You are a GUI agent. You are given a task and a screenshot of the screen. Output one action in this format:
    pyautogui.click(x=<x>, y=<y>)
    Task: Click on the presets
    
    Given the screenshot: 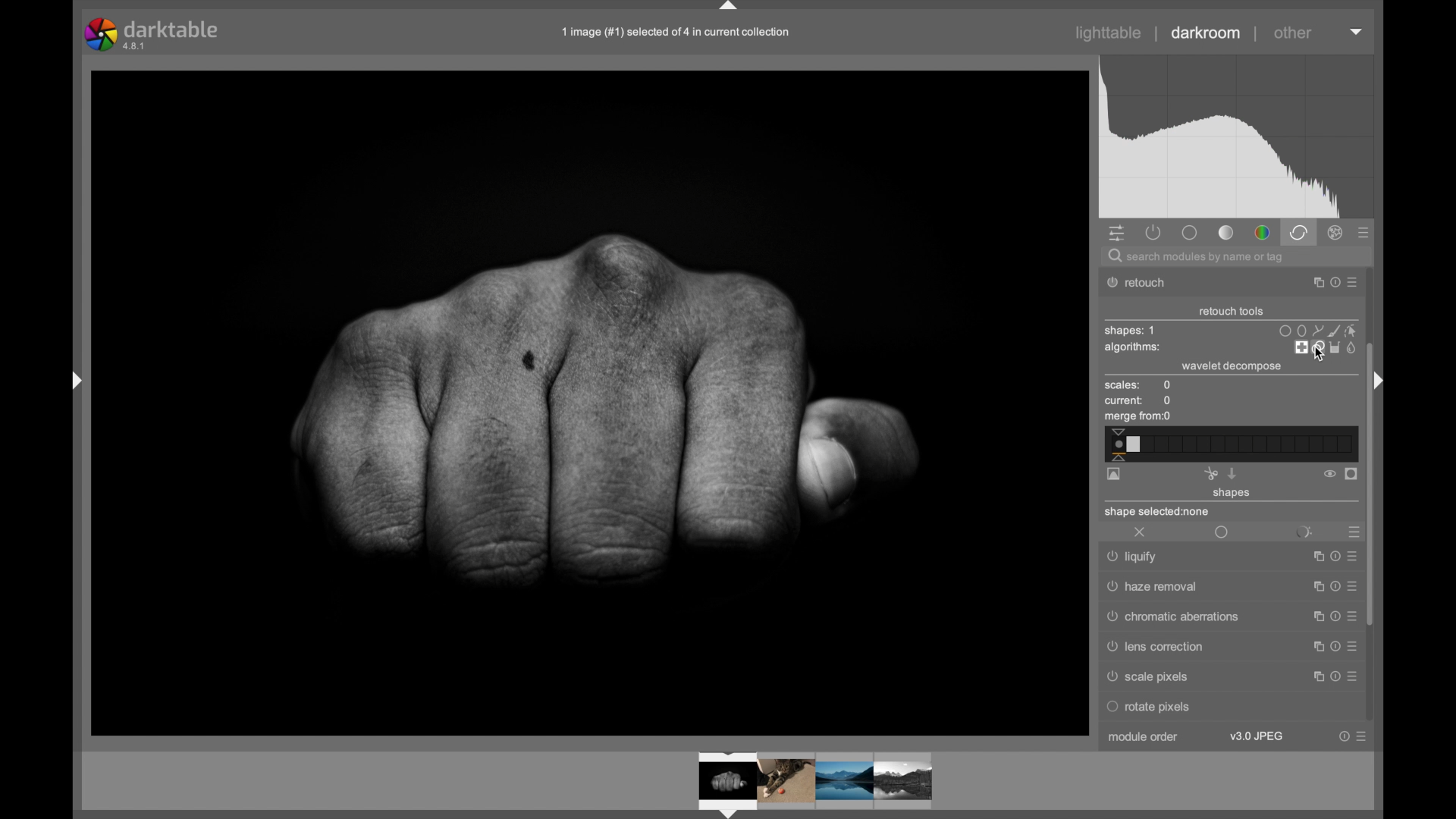 What is the action you would take?
    pyautogui.click(x=1352, y=532)
    